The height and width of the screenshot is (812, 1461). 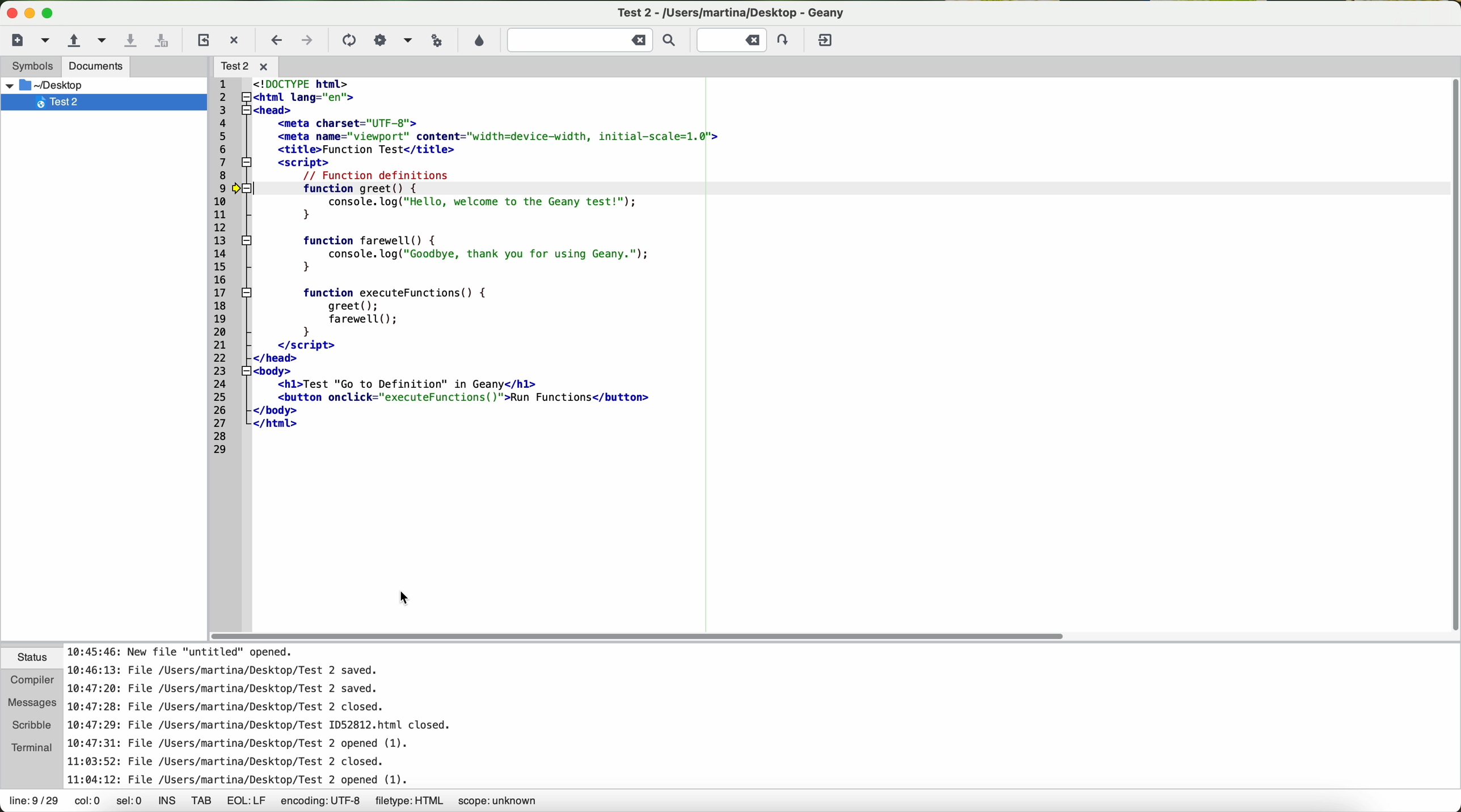 What do you see at coordinates (486, 130) in the screenshot?
I see `code block` at bounding box center [486, 130].